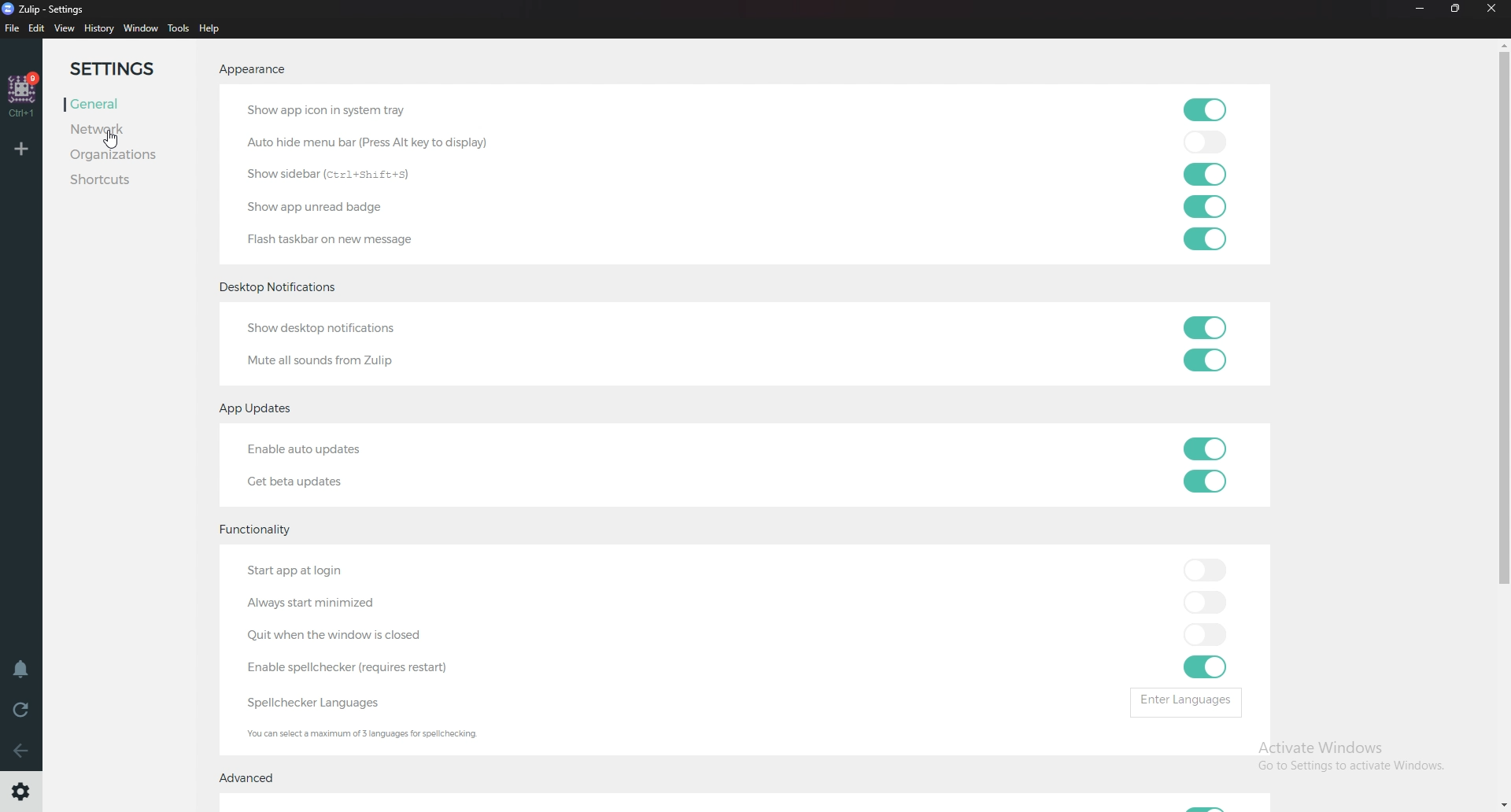 This screenshot has height=812, width=1511. I want to click on show app unread badge, so click(324, 209).